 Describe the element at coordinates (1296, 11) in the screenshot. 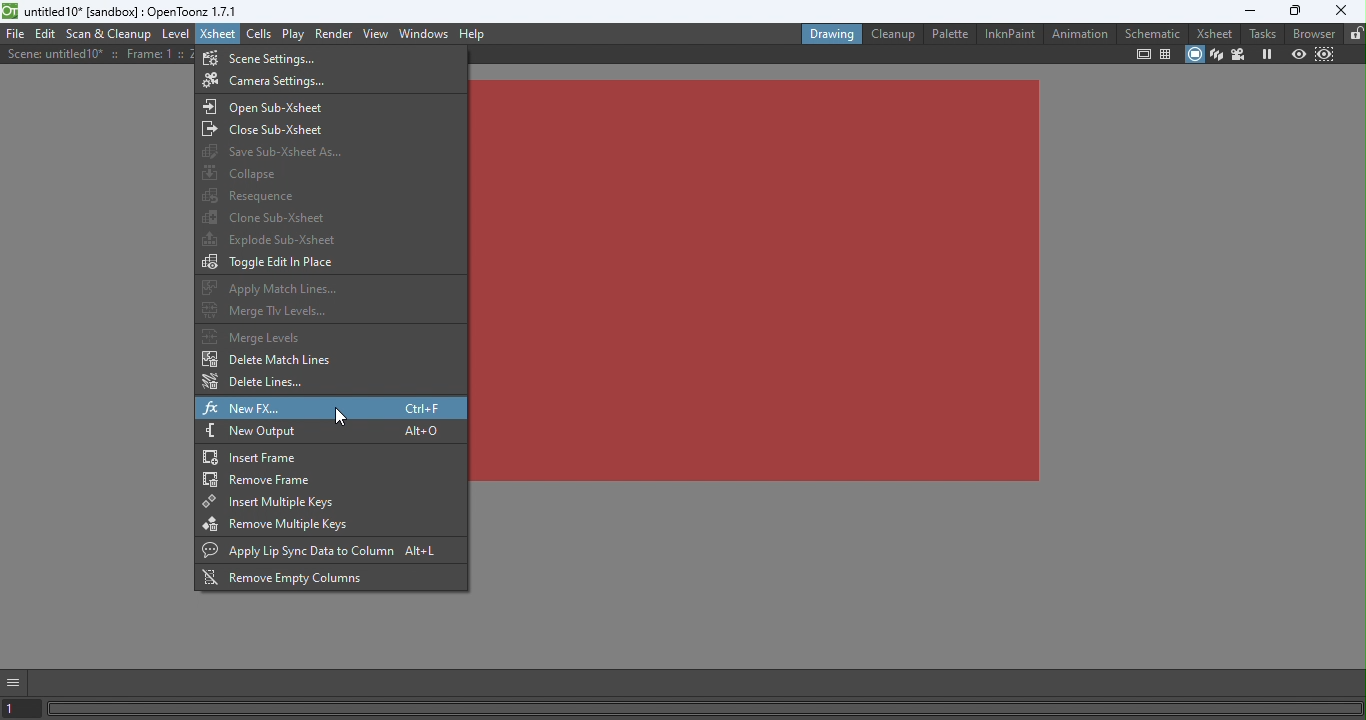

I see `Maximize` at that location.